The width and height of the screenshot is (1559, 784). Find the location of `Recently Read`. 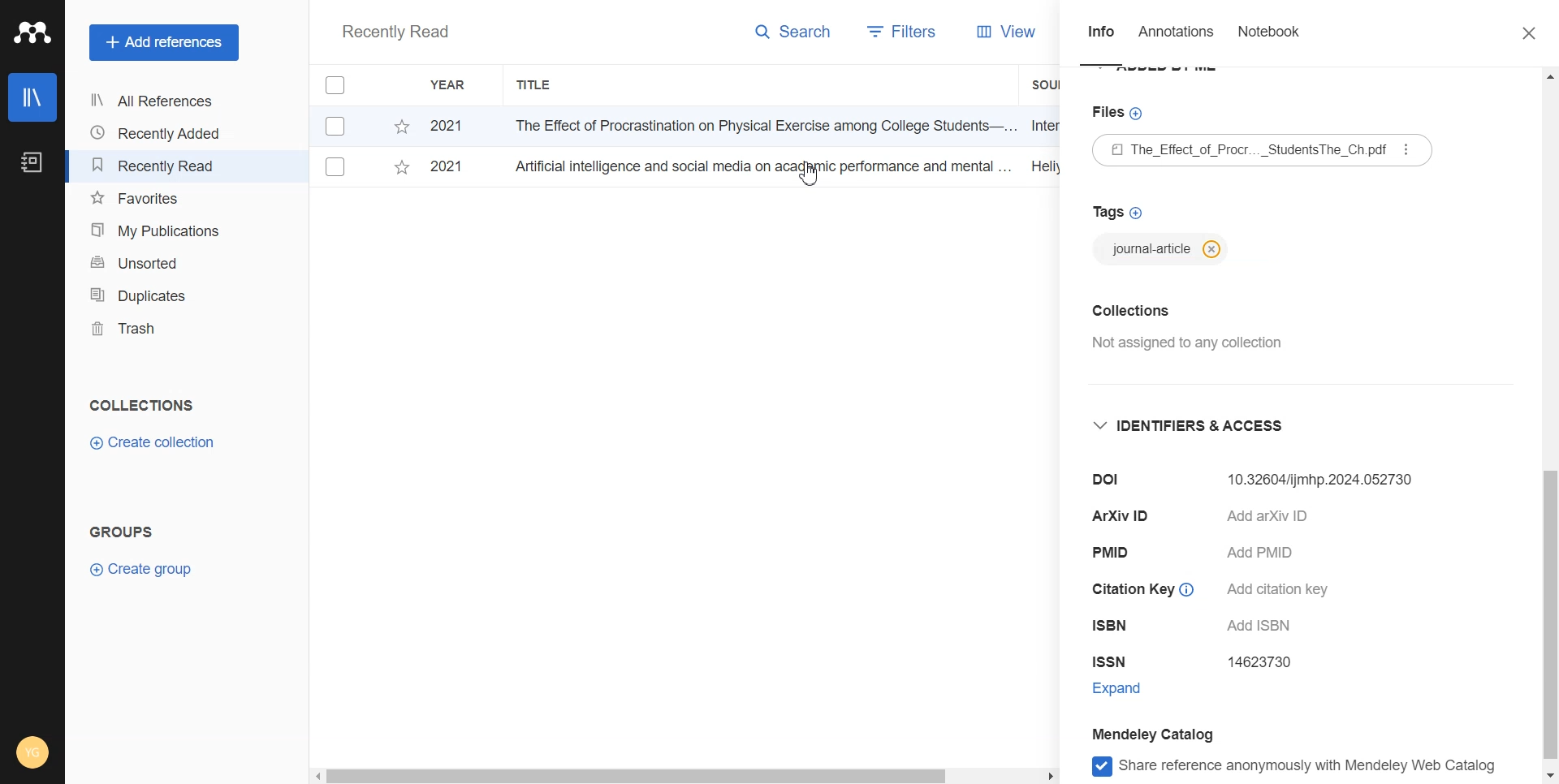

Recently Read is located at coordinates (395, 33).